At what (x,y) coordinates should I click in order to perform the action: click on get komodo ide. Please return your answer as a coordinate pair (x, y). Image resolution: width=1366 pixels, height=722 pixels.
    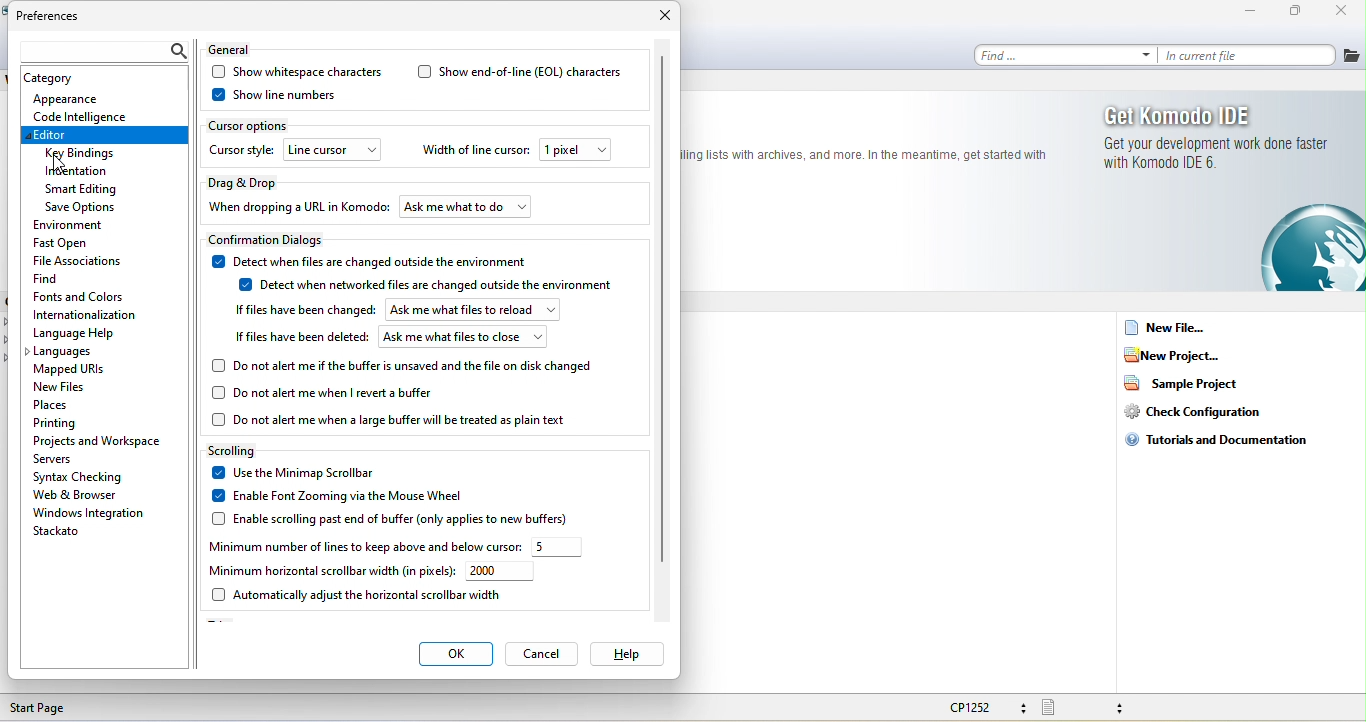
    Looking at the image, I should click on (1214, 138).